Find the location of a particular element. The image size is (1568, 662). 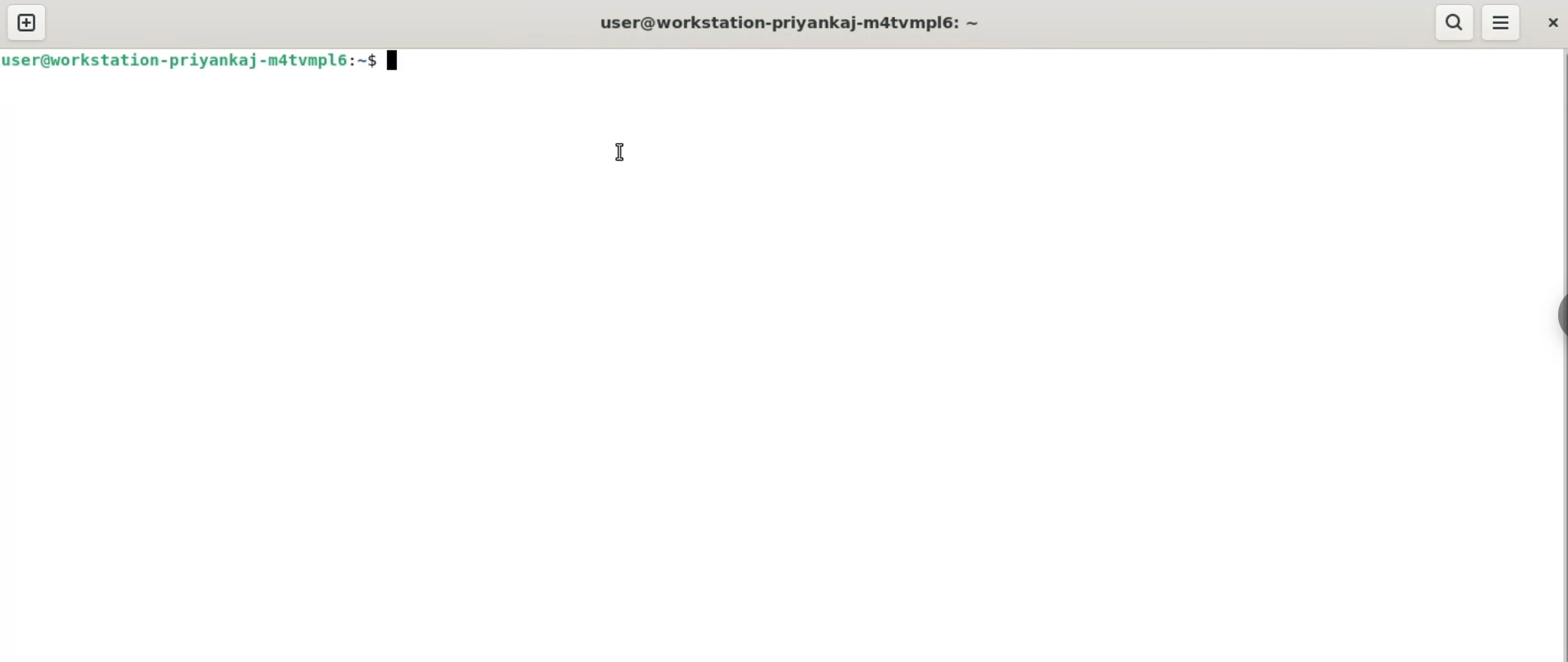

user@workstation-priyankaj-m4tvmpl6: ~ is located at coordinates (789, 23).